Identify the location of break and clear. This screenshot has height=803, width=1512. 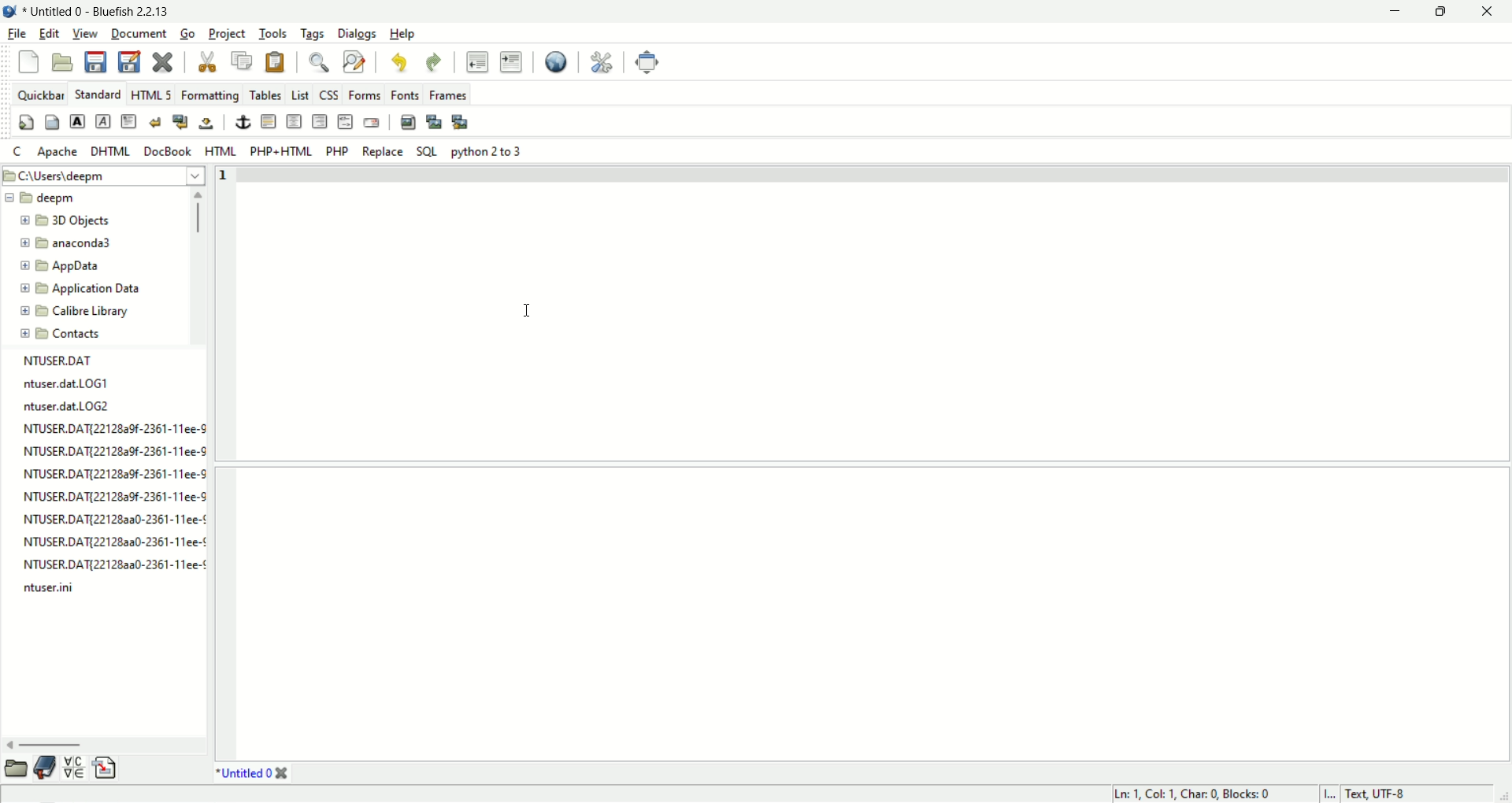
(181, 123).